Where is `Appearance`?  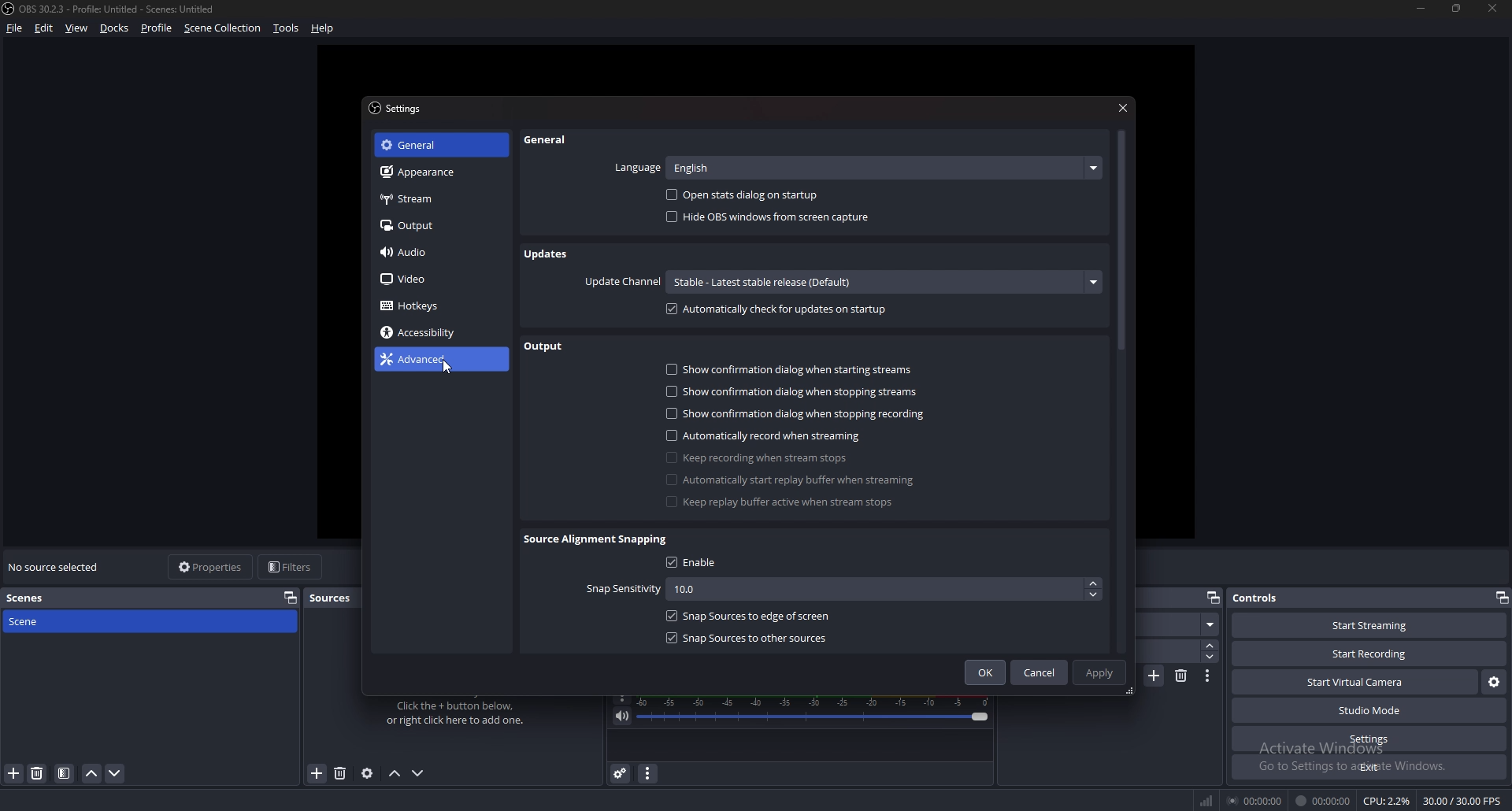 Appearance is located at coordinates (434, 172).